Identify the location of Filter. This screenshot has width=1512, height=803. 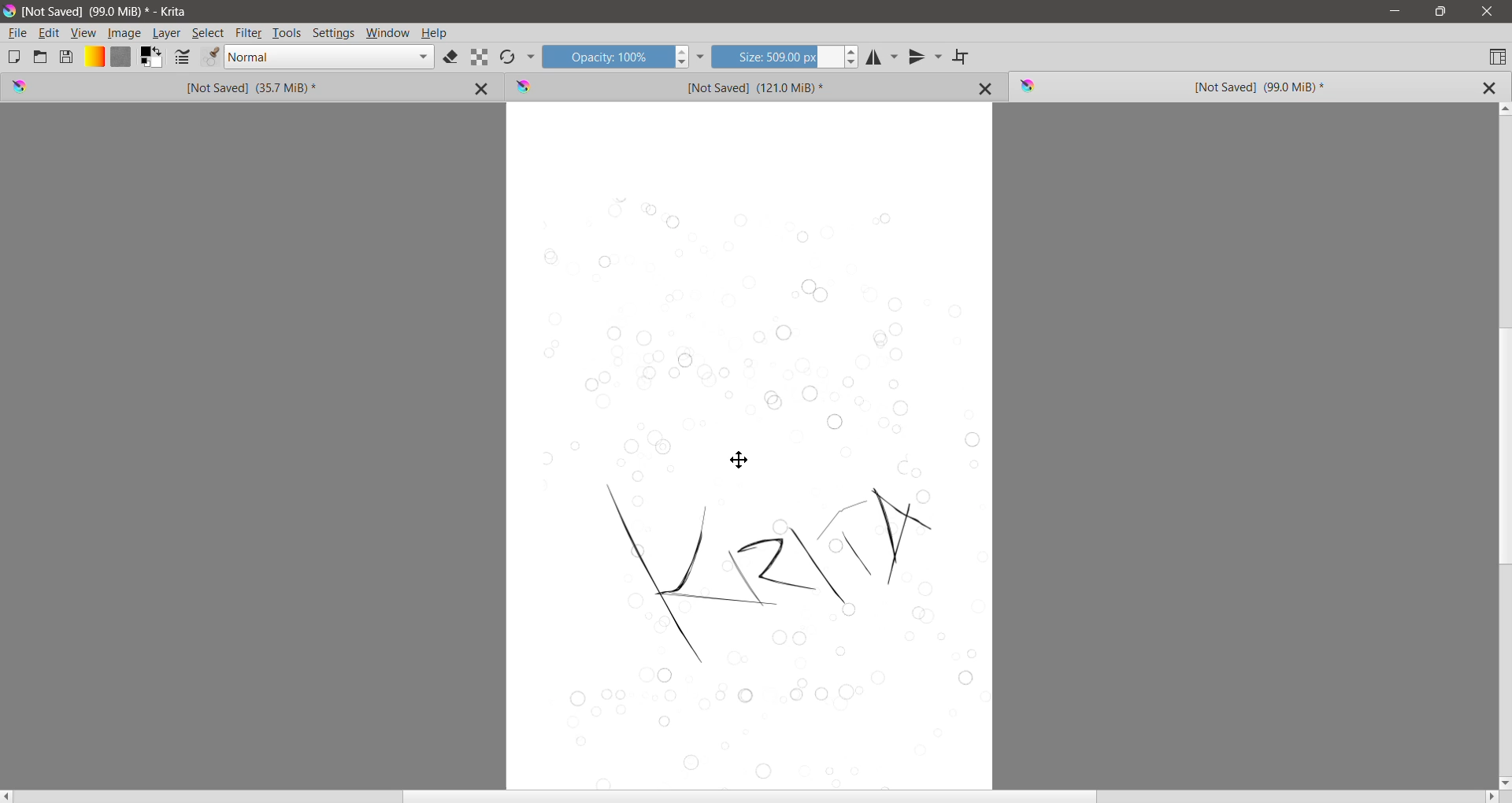
(249, 33).